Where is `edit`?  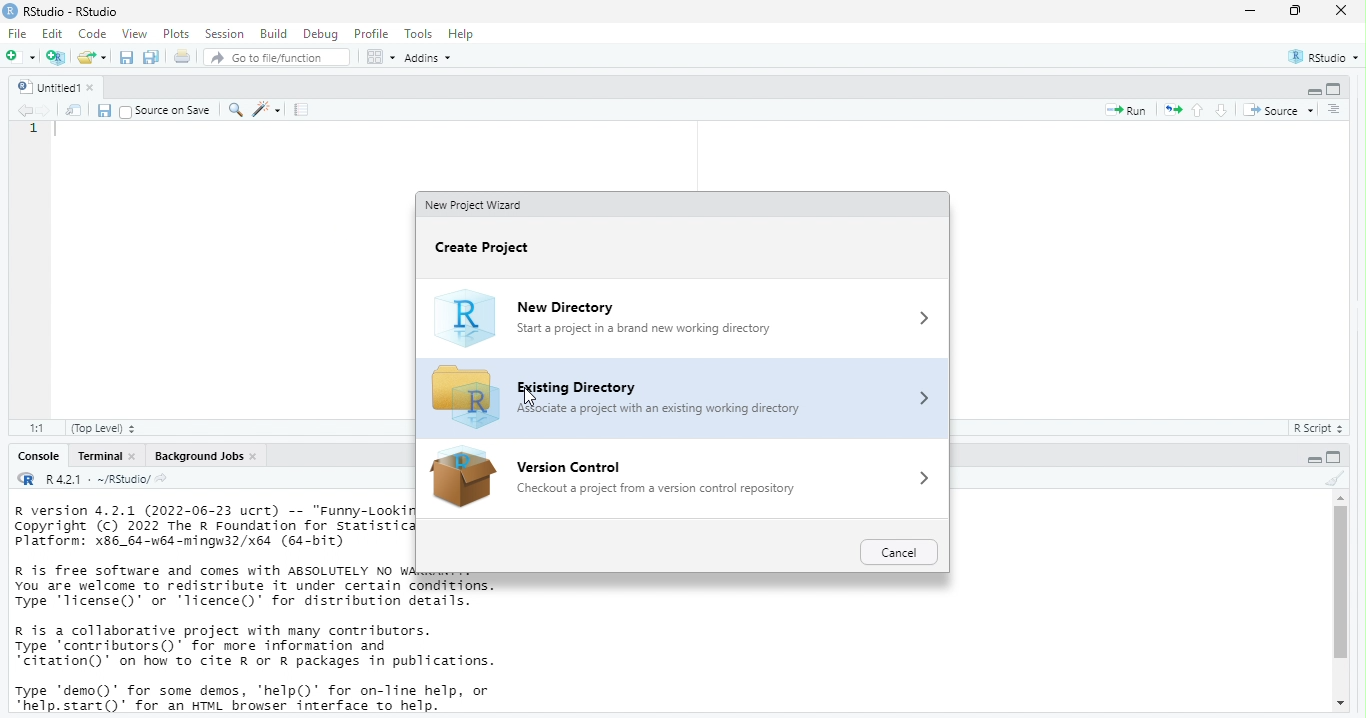 edit is located at coordinates (55, 34).